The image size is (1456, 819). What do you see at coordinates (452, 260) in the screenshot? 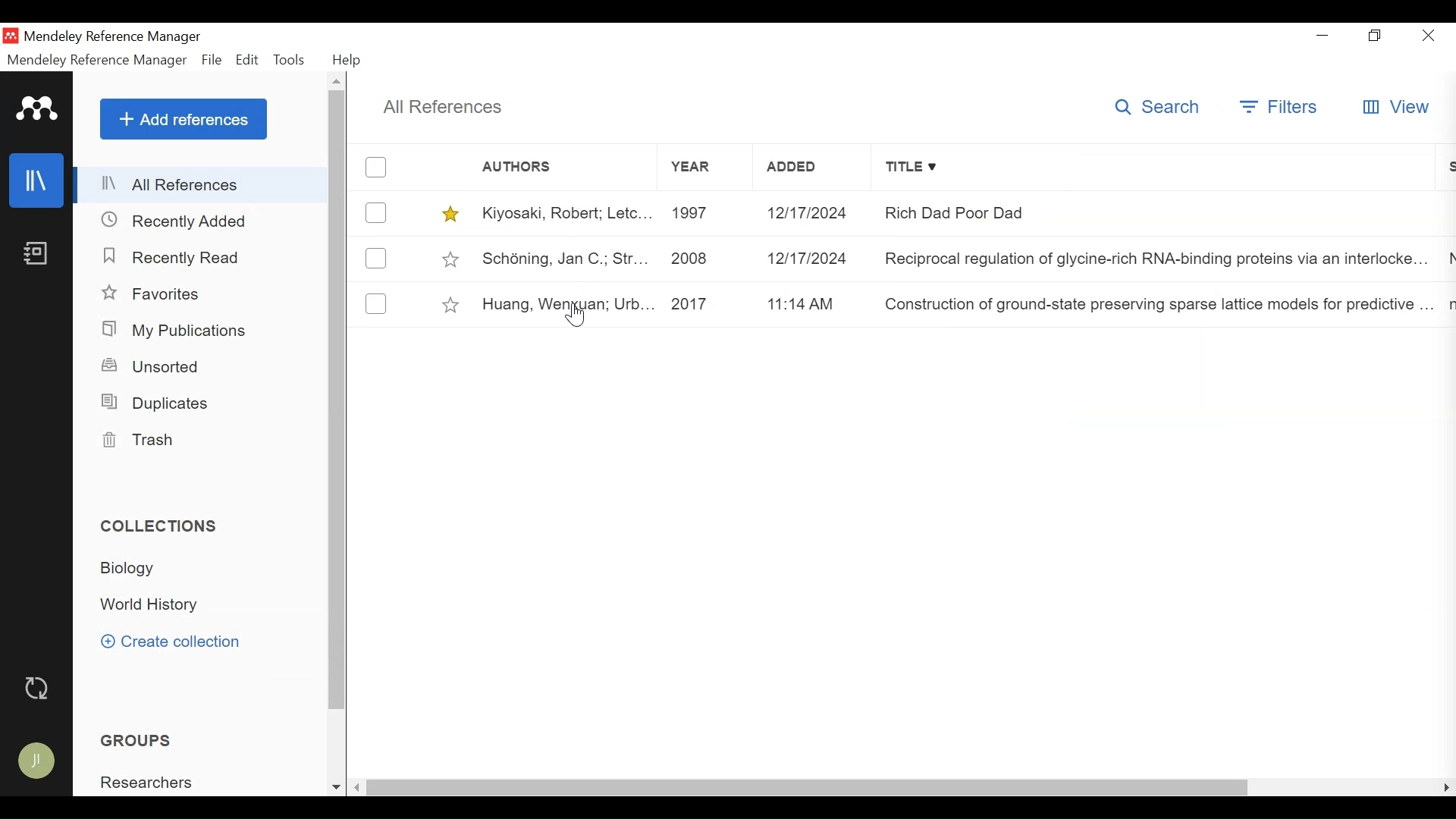
I see `Toggle Favorites` at bounding box center [452, 260].